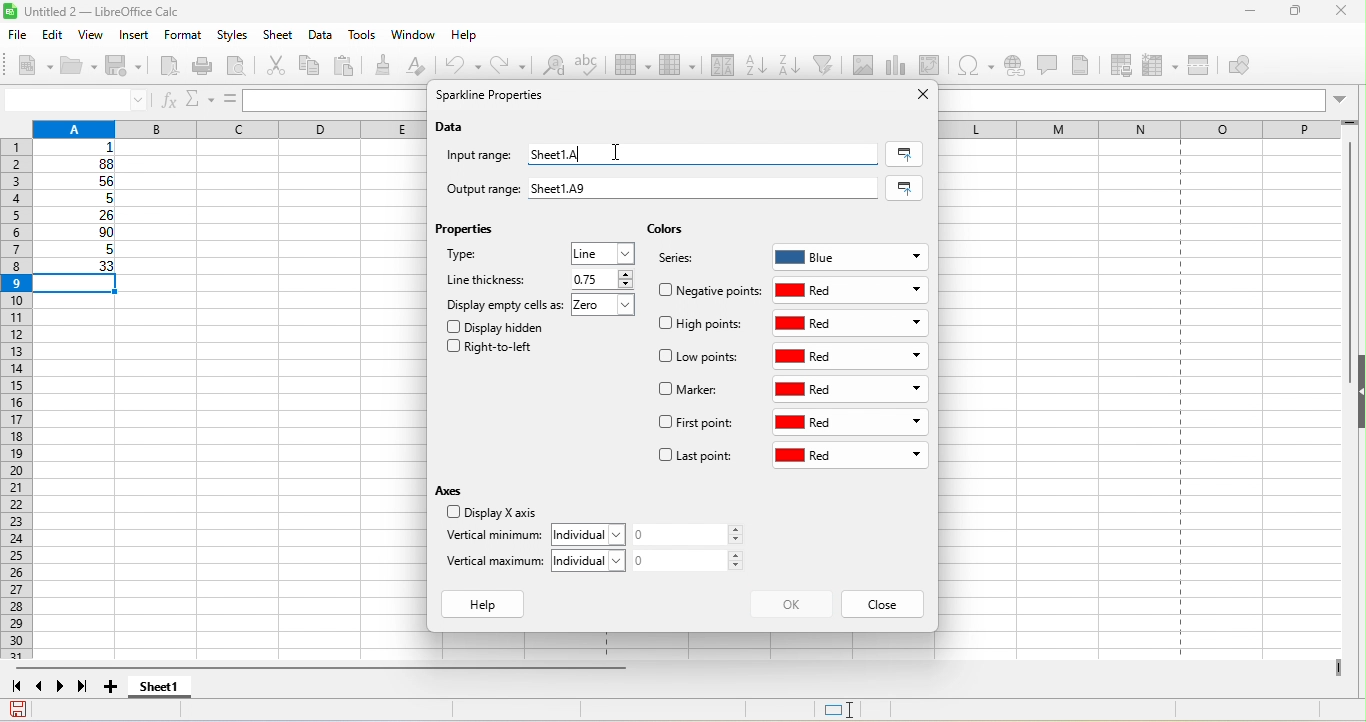  What do you see at coordinates (826, 65) in the screenshot?
I see `auto filter` at bounding box center [826, 65].